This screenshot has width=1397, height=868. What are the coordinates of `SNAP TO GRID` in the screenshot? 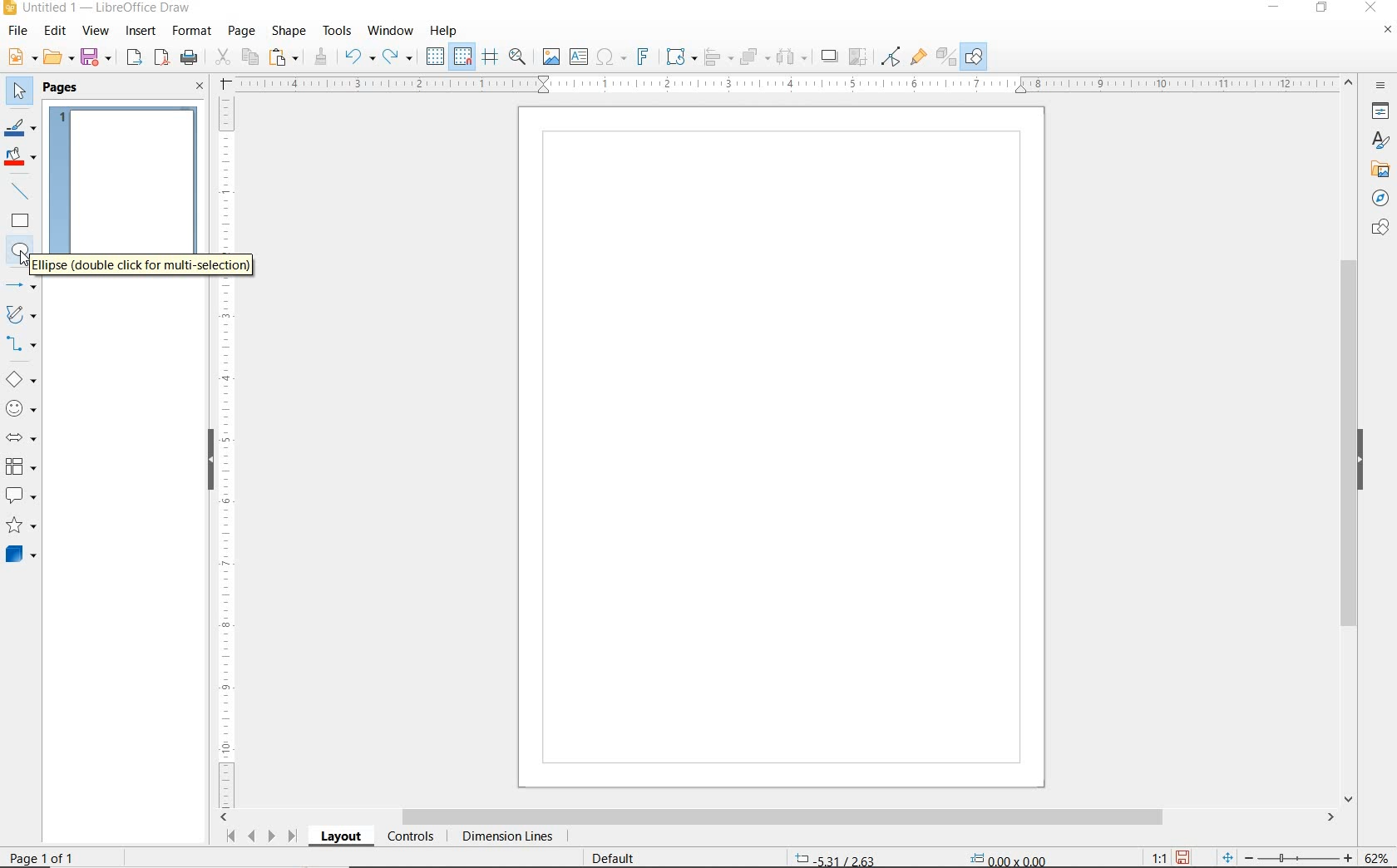 It's located at (462, 57).